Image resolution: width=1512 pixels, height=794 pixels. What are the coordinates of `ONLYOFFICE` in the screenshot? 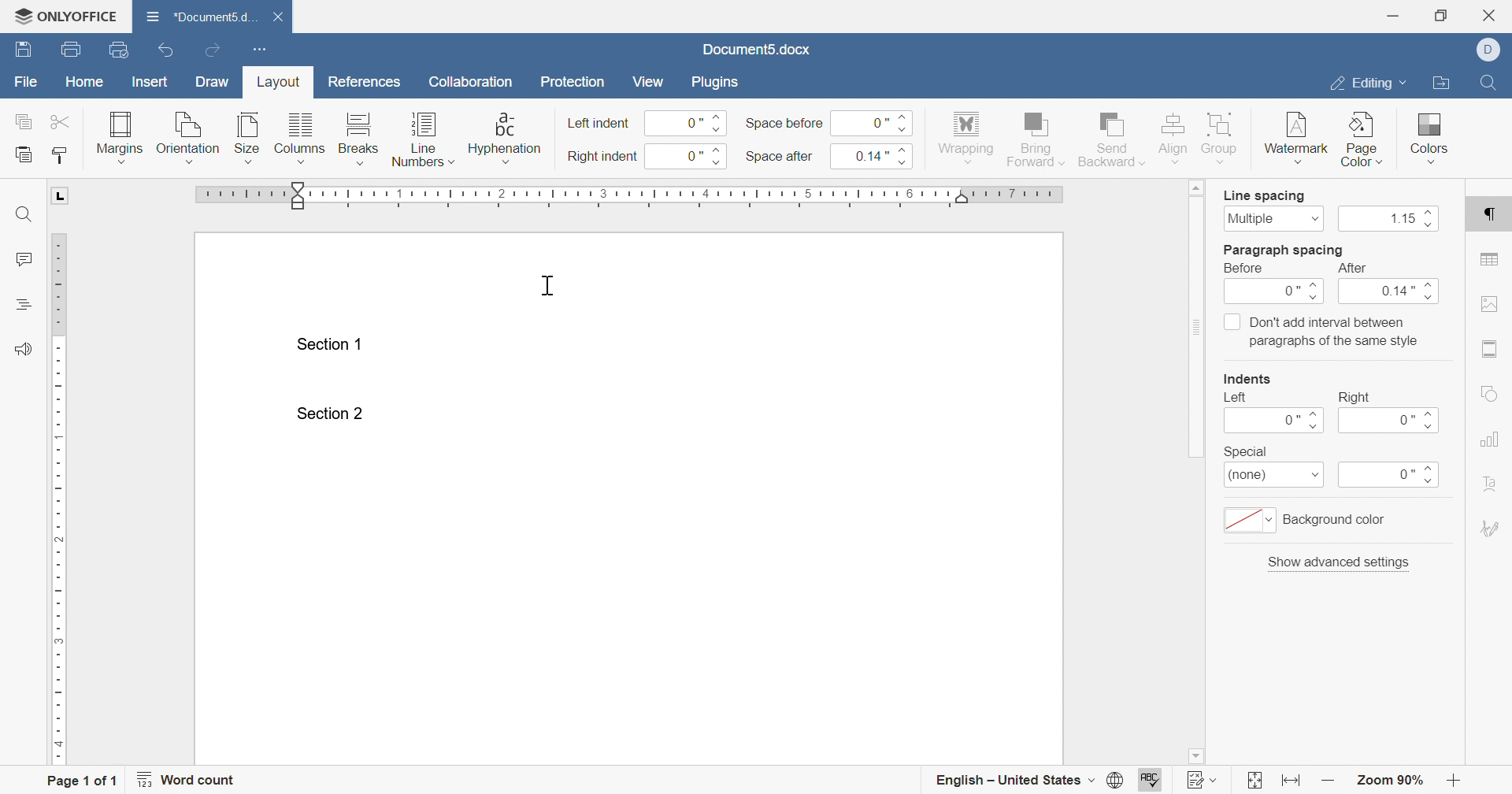 It's located at (65, 17).